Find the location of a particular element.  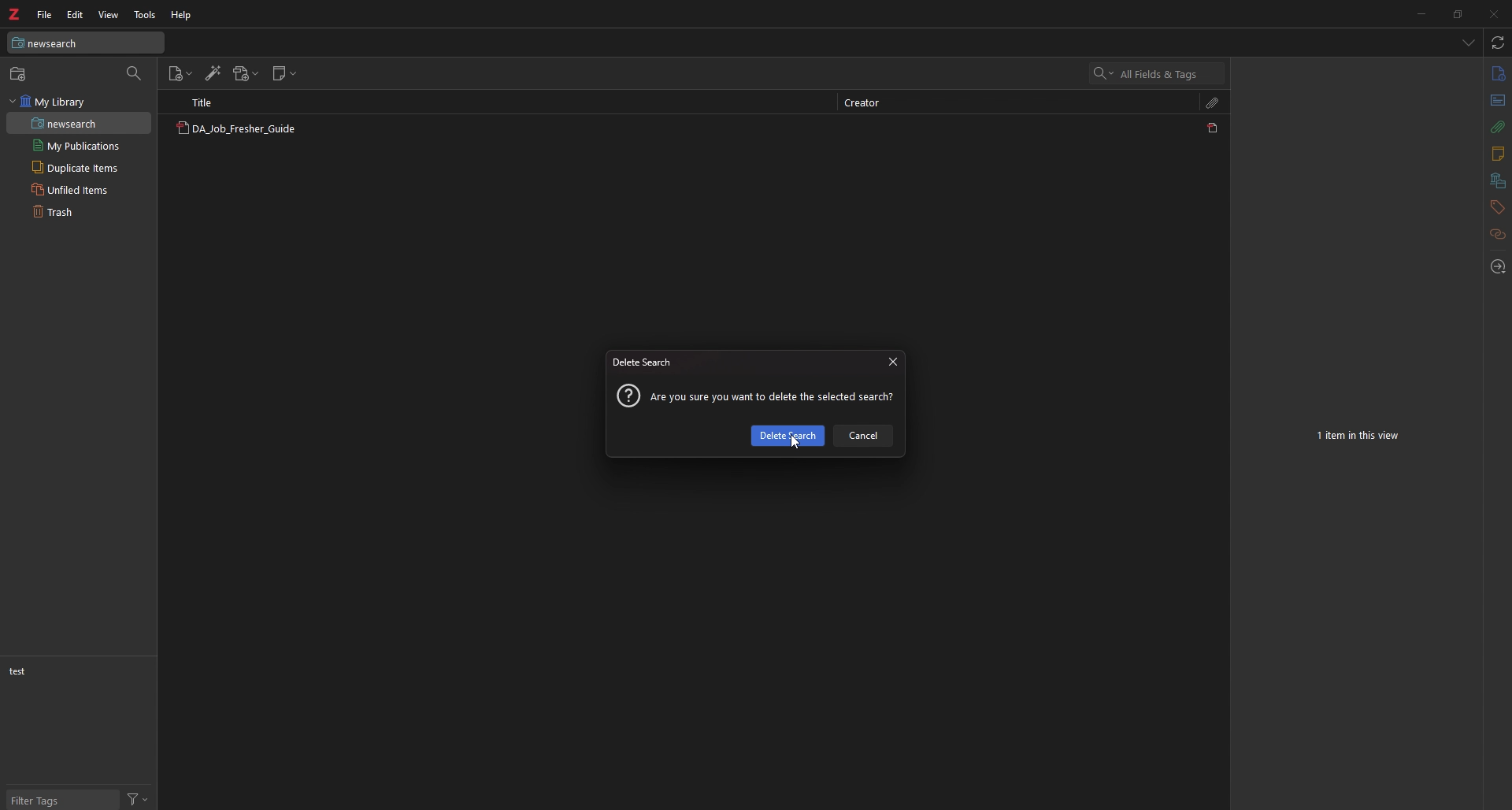

newsearch is located at coordinates (61, 124).